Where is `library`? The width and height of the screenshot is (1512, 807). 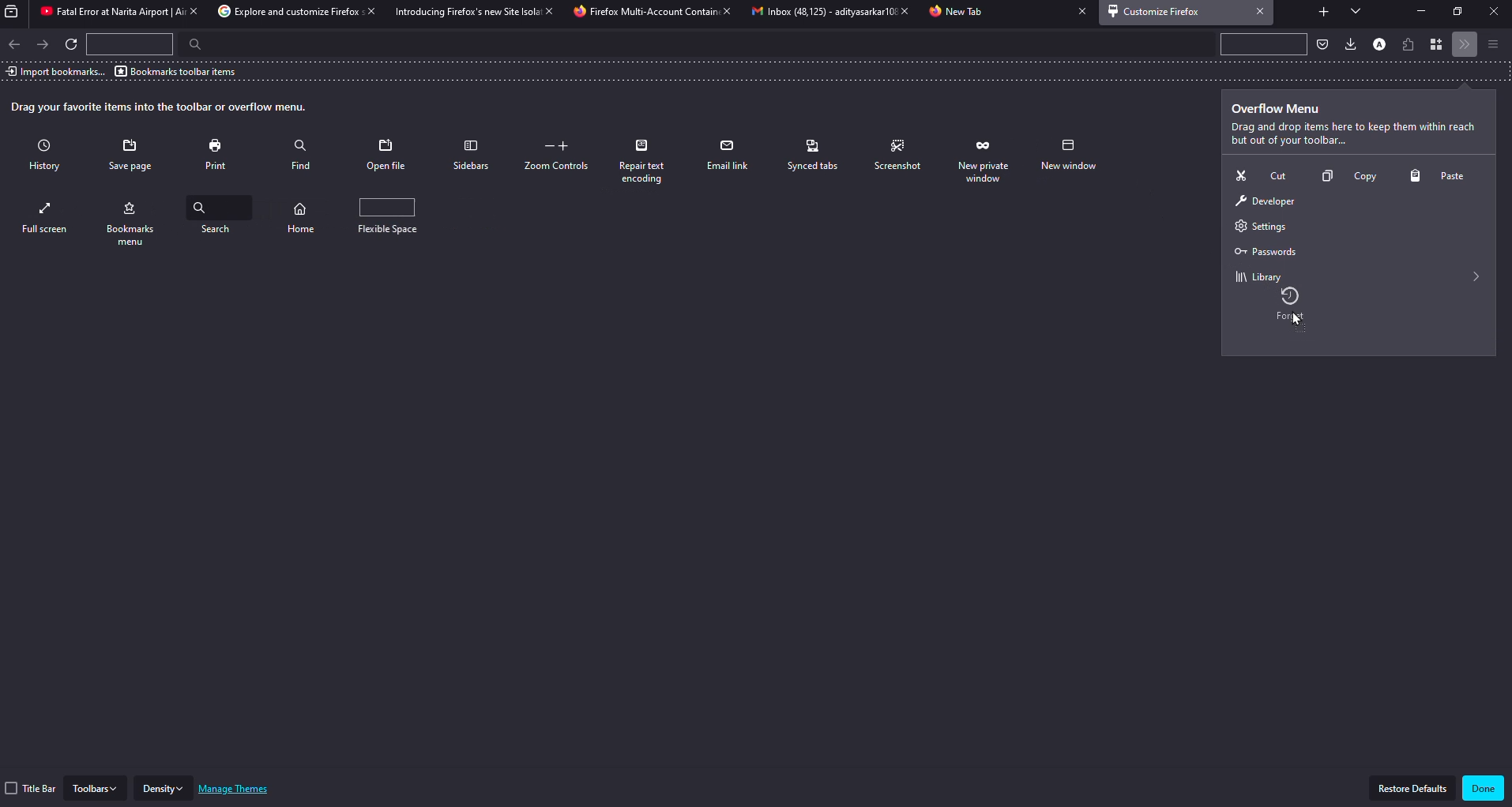
library is located at coordinates (1257, 276).